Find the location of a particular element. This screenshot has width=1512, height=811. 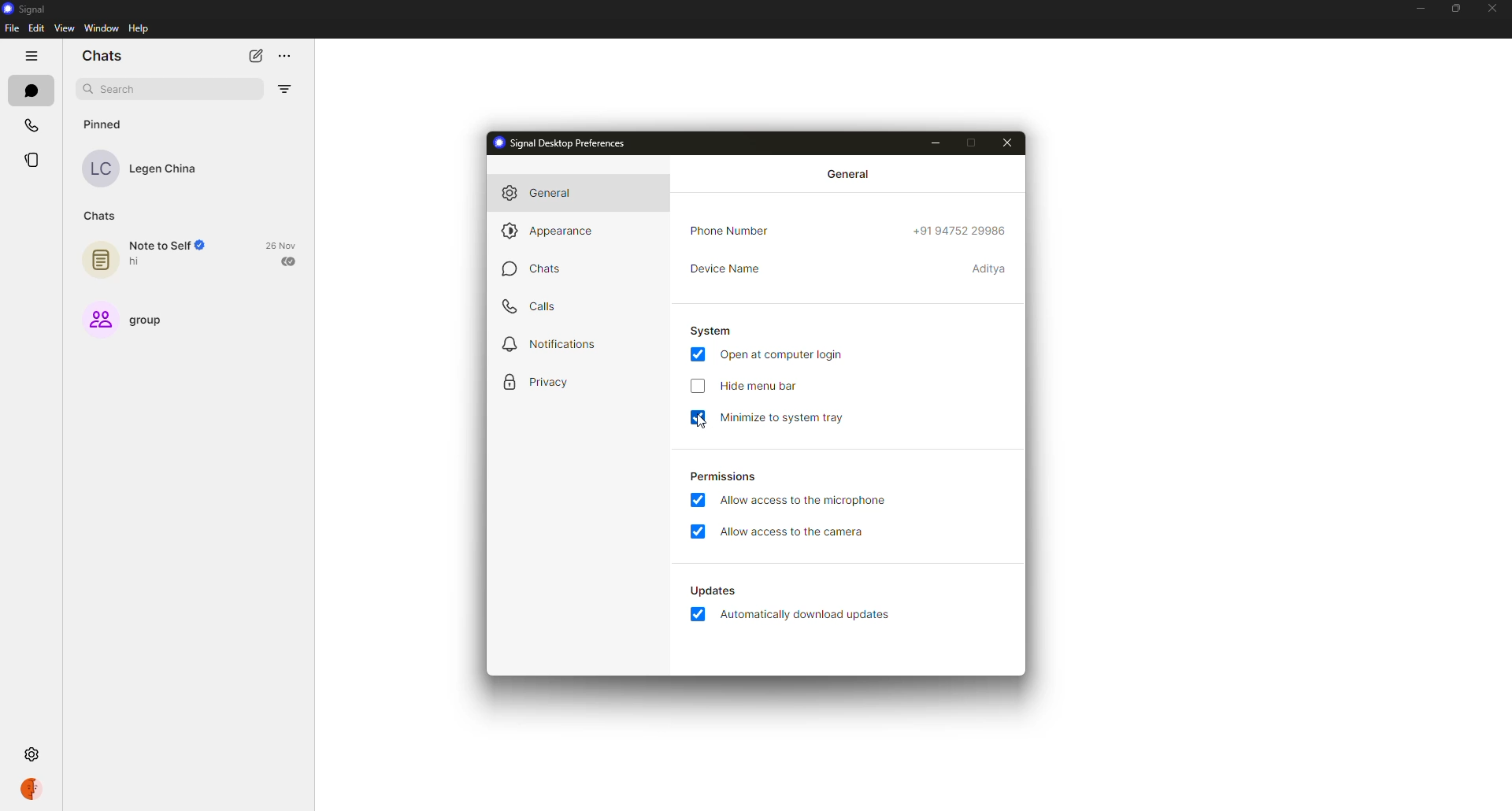

close is located at coordinates (1495, 8).